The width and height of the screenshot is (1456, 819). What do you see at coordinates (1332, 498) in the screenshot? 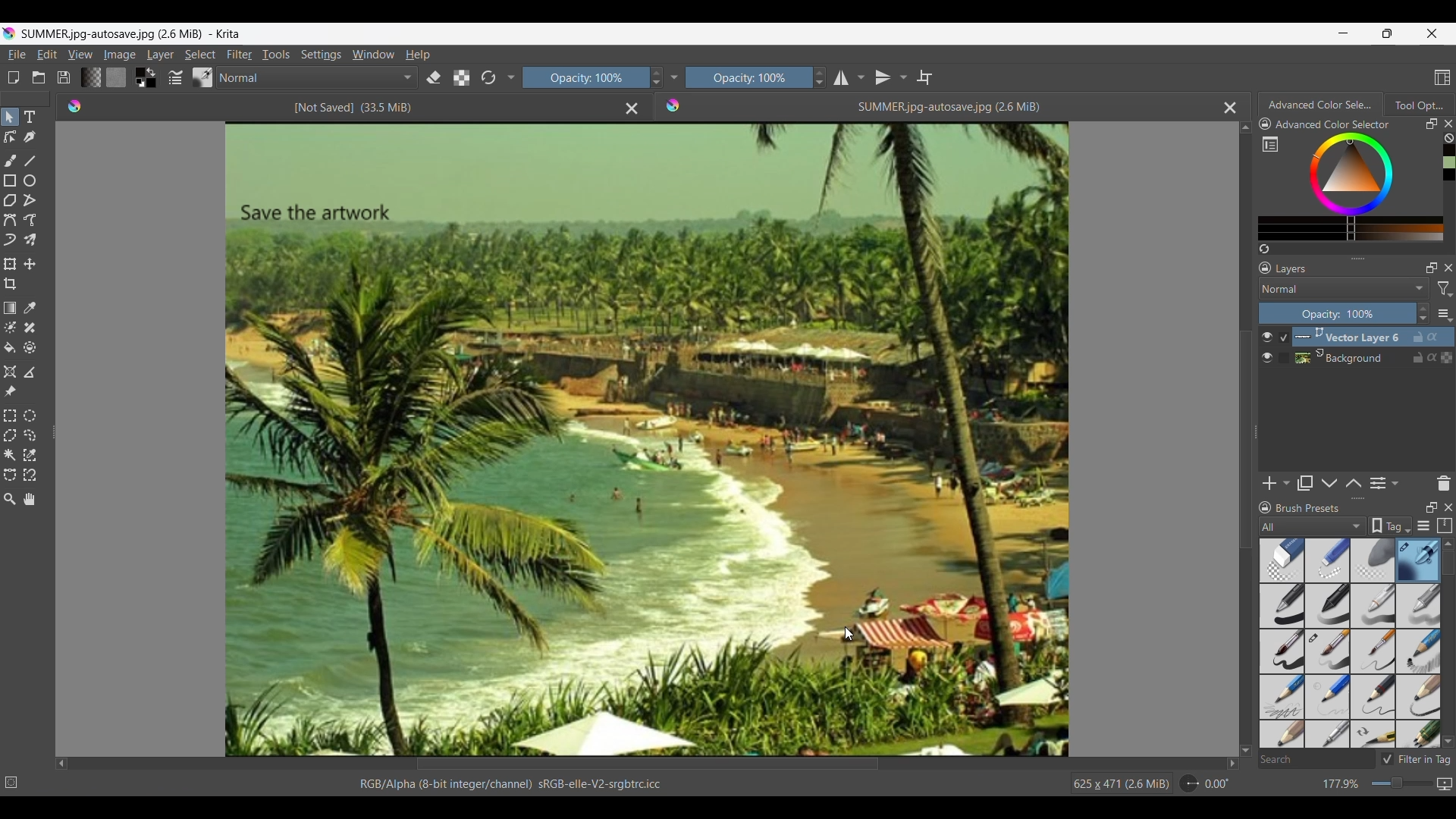
I see `Change height of panels attached to this line` at bounding box center [1332, 498].